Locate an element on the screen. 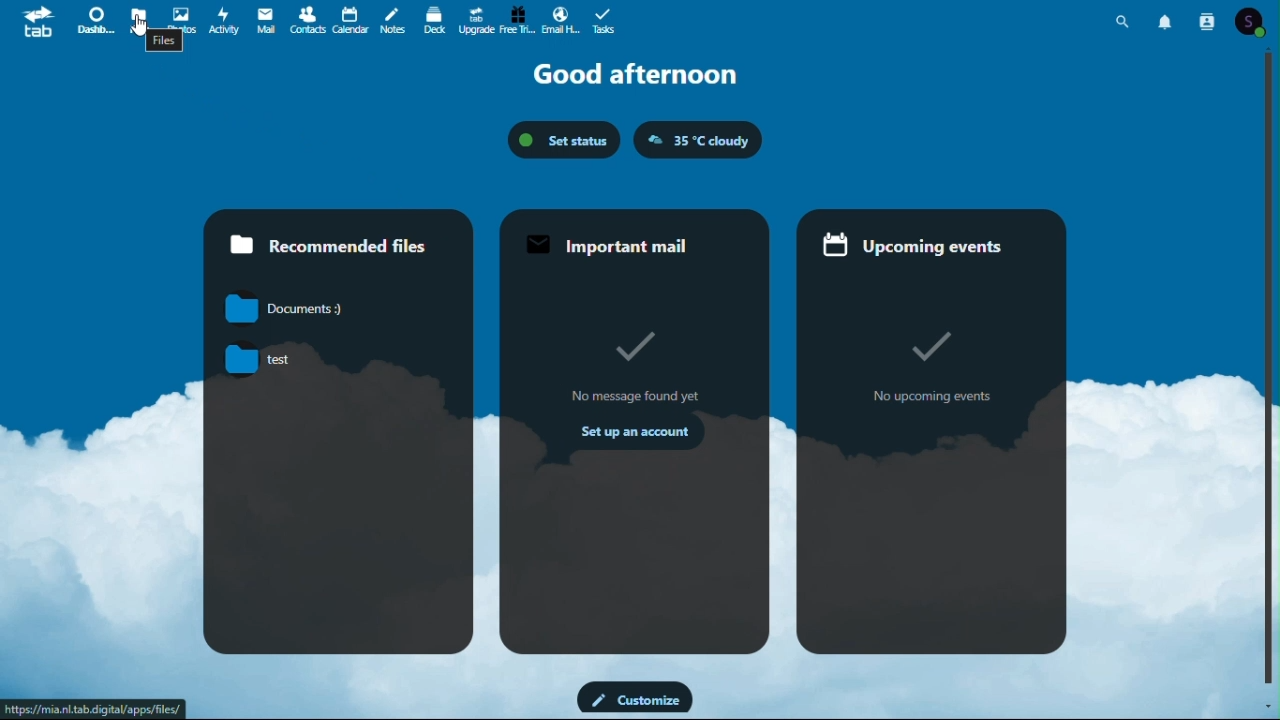  Status is located at coordinates (563, 141).